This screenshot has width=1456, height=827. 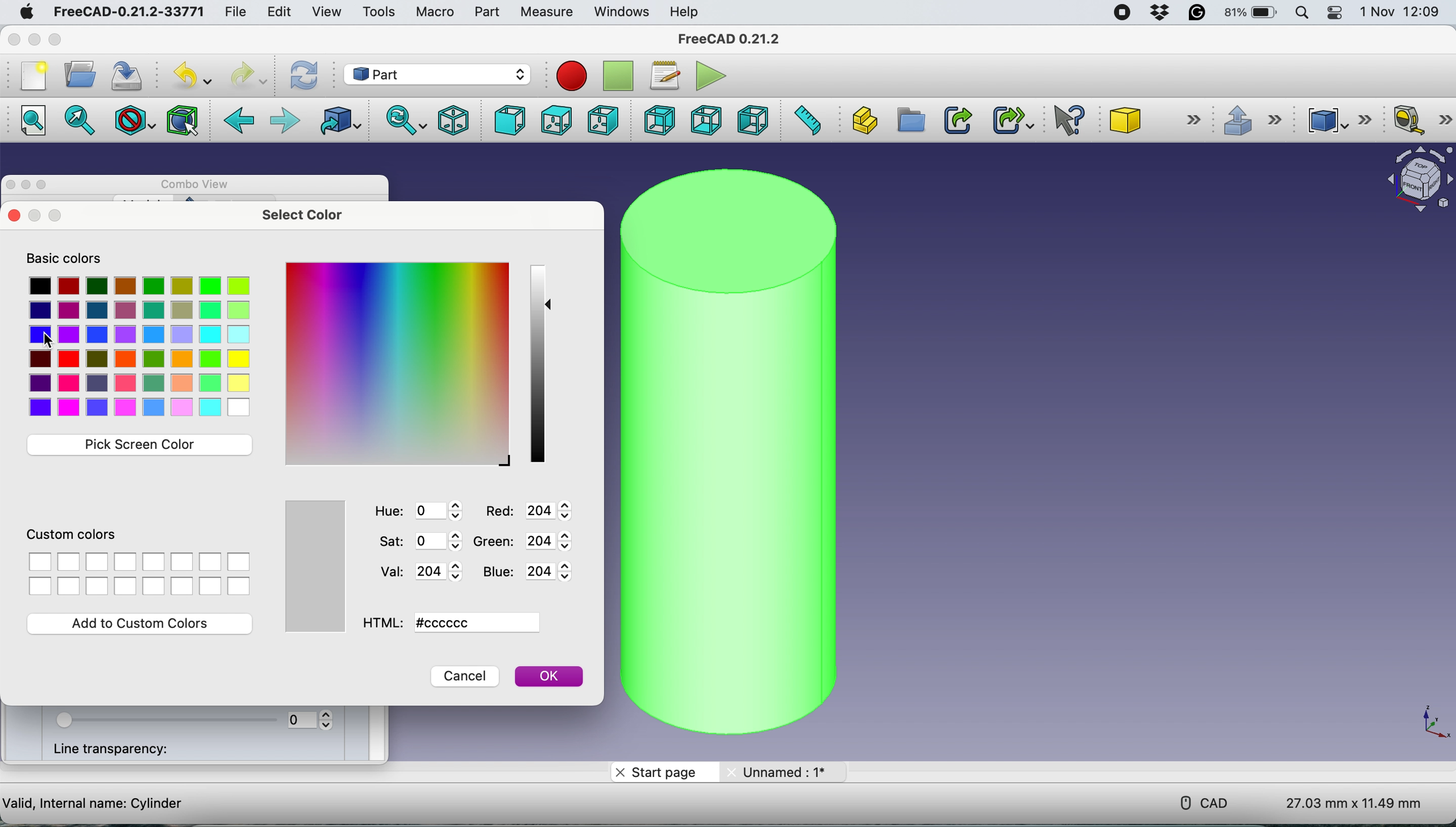 I want to click on bottom, so click(x=704, y=120).